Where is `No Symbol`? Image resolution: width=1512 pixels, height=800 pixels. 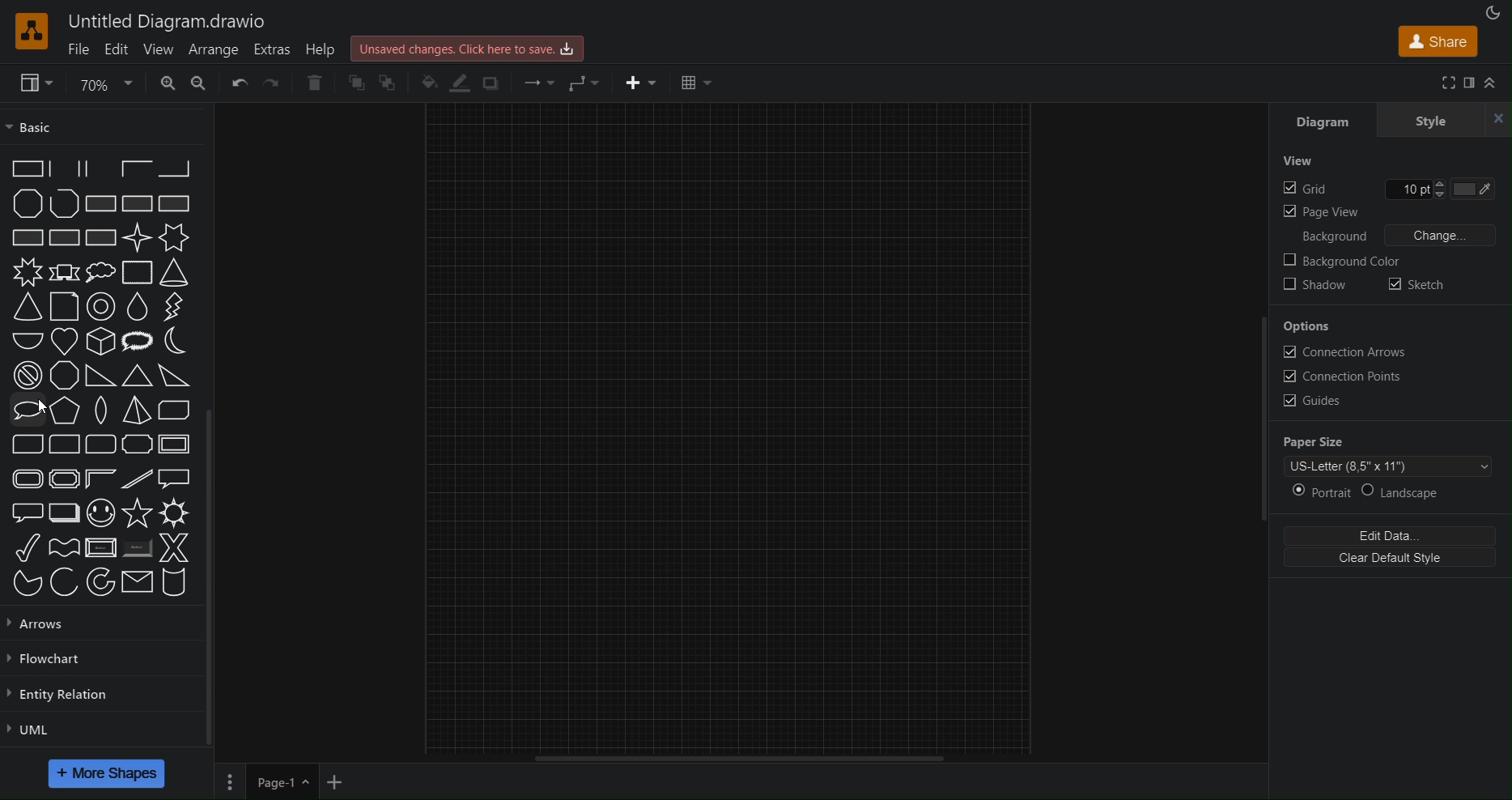 No Symbol is located at coordinates (25, 374).